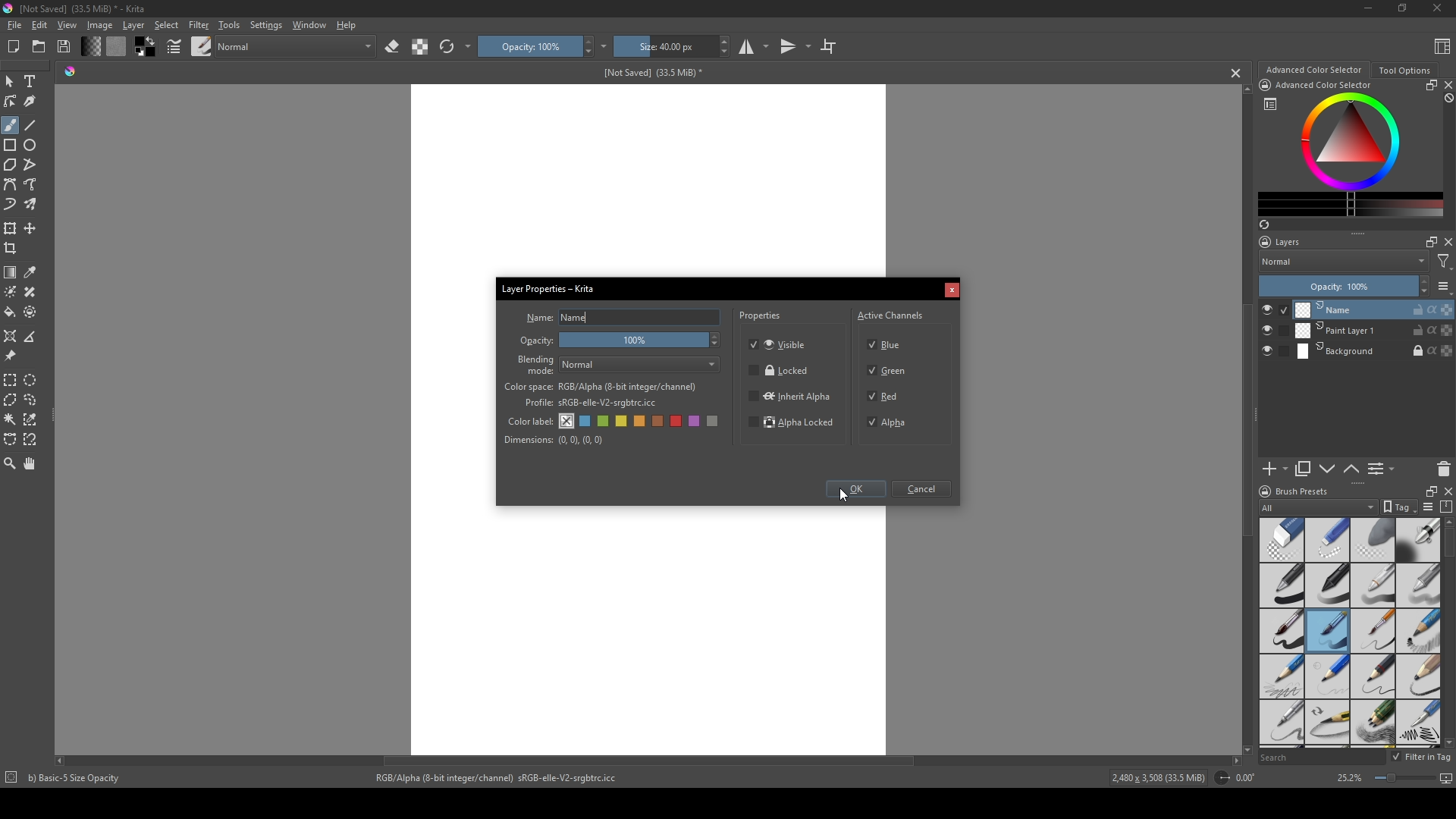 The image size is (1456, 819). What do you see at coordinates (1447, 522) in the screenshot?
I see `scroll up` at bounding box center [1447, 522].